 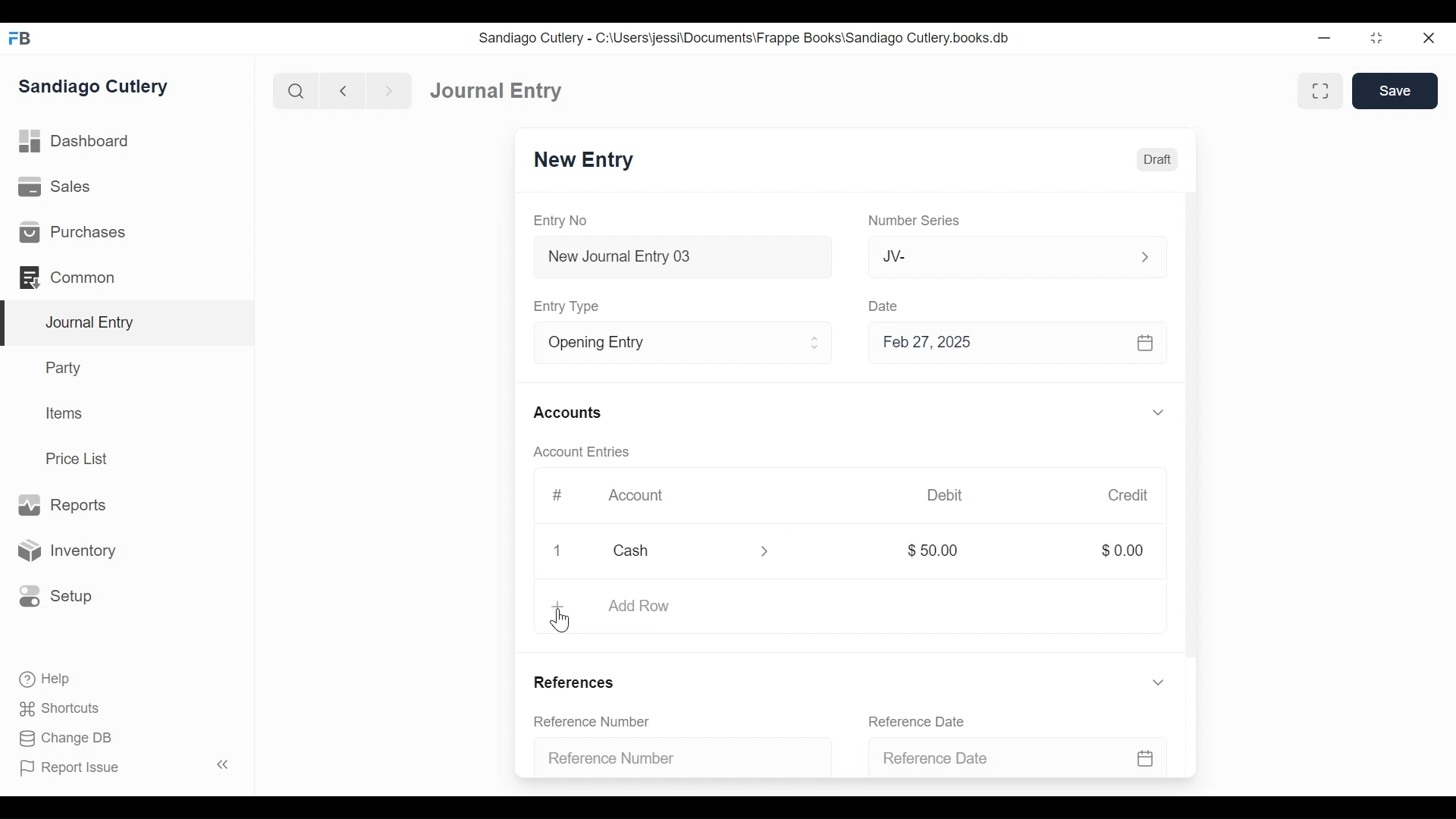 I want to click on Reference Date, so click(x=1020, y=756).